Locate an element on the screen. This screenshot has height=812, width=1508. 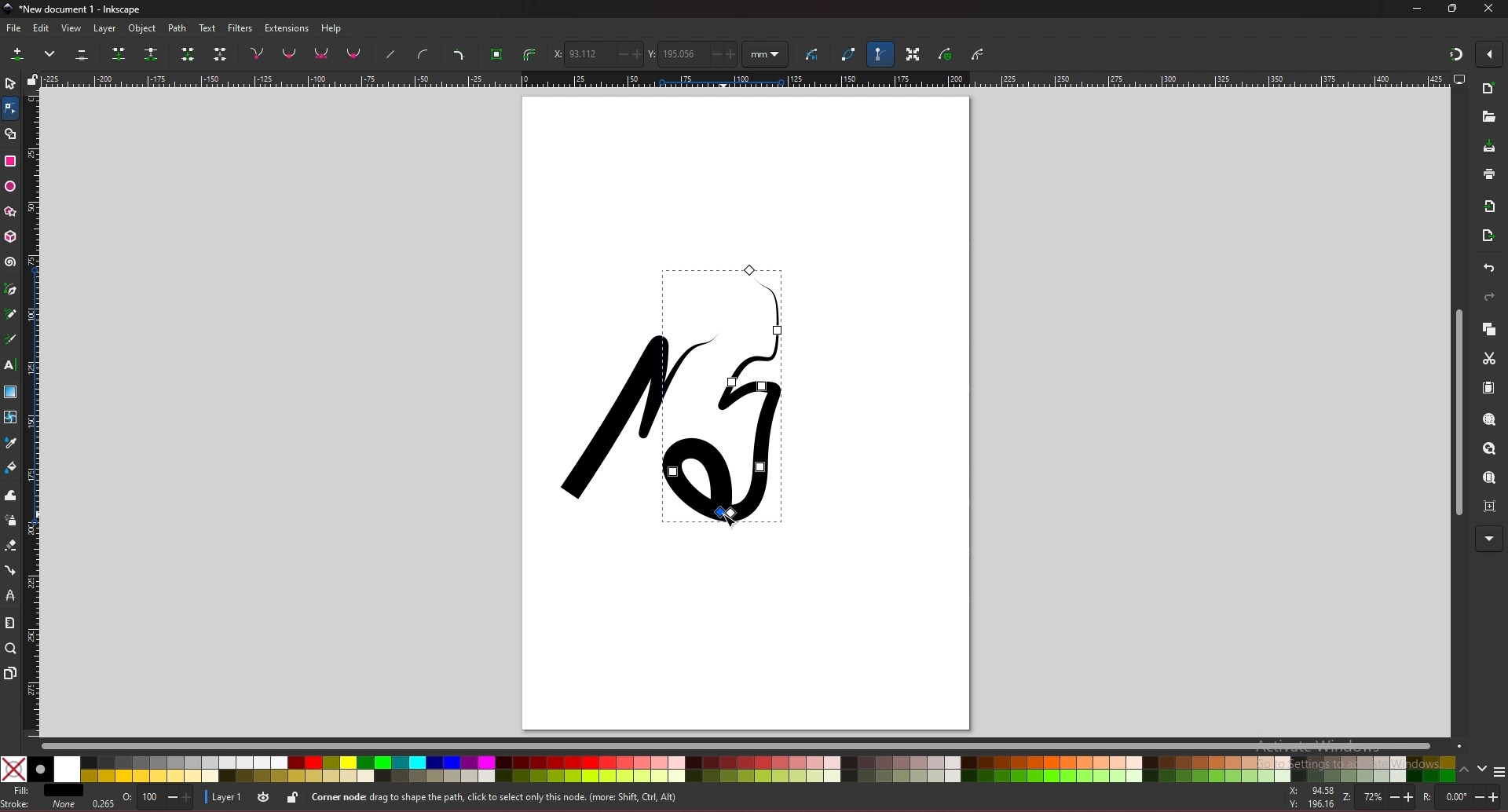
zoom drawing is located at coordinates (1489, 450).